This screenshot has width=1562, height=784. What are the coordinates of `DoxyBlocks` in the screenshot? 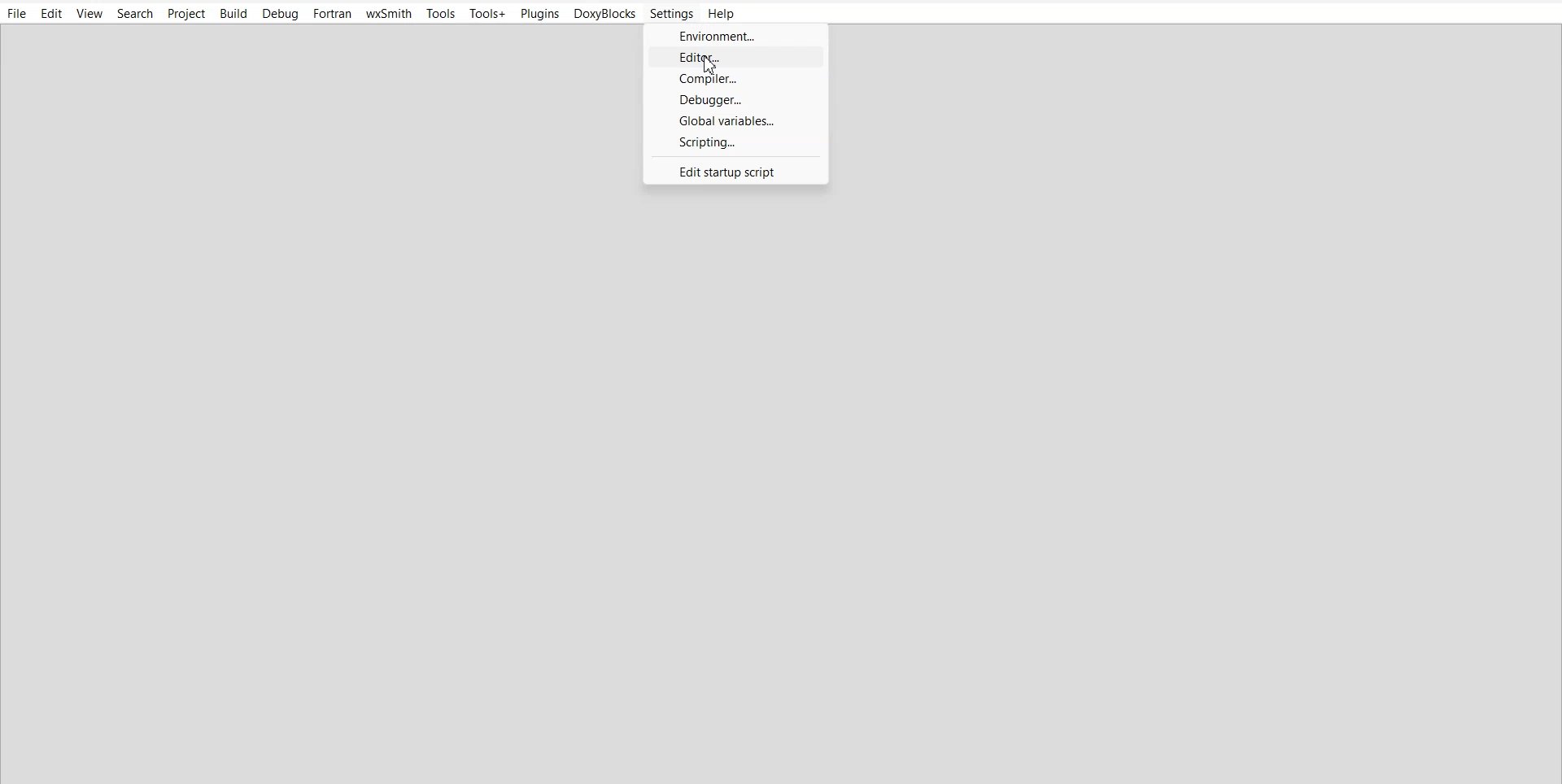 It's located at (605, 14).